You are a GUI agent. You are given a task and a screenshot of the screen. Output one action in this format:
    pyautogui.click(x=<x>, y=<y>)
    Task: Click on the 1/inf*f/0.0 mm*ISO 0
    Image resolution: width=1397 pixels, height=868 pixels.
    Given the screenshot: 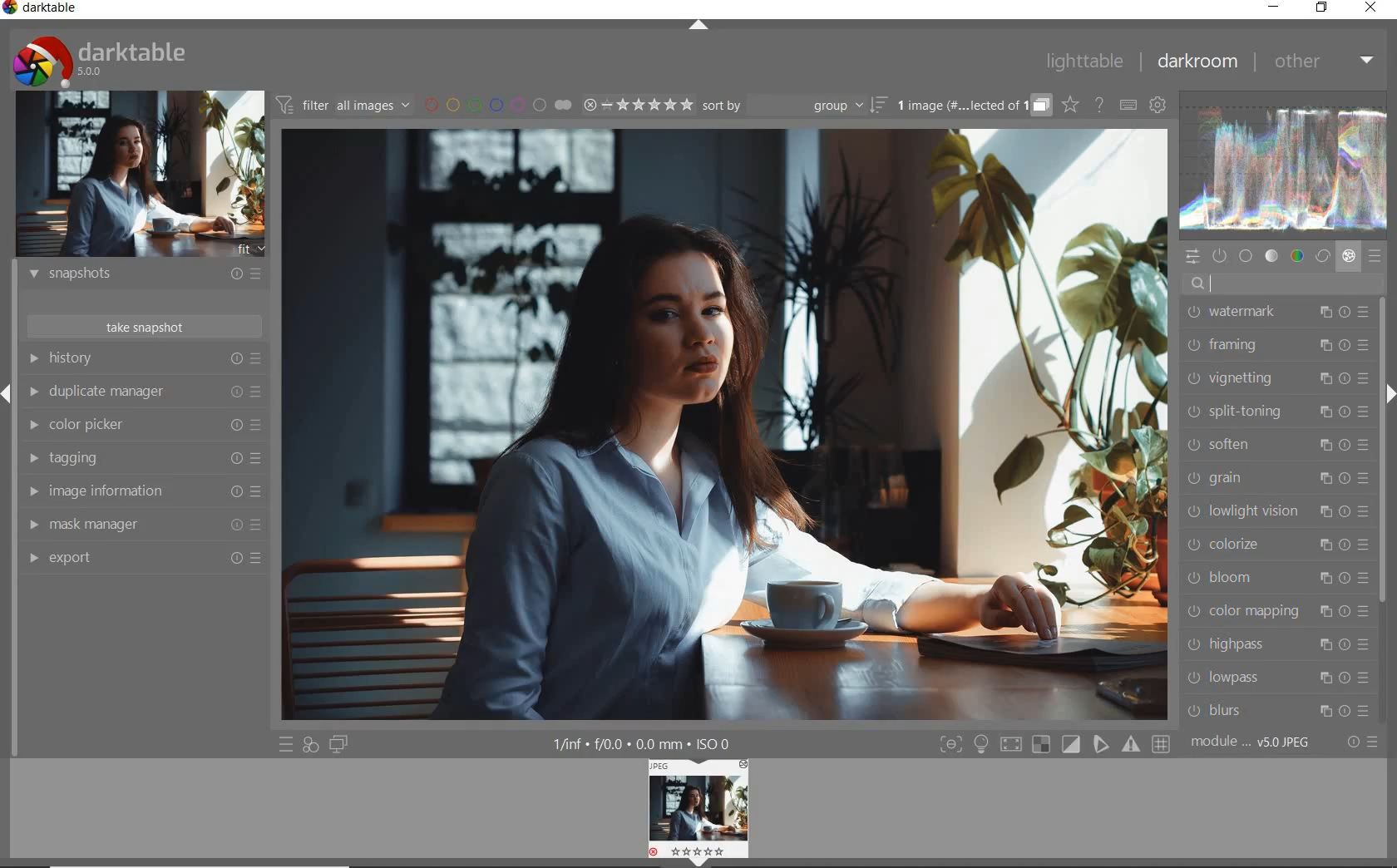 What is the action you would take?
    pyautogui.click(x=644, y=743)
    